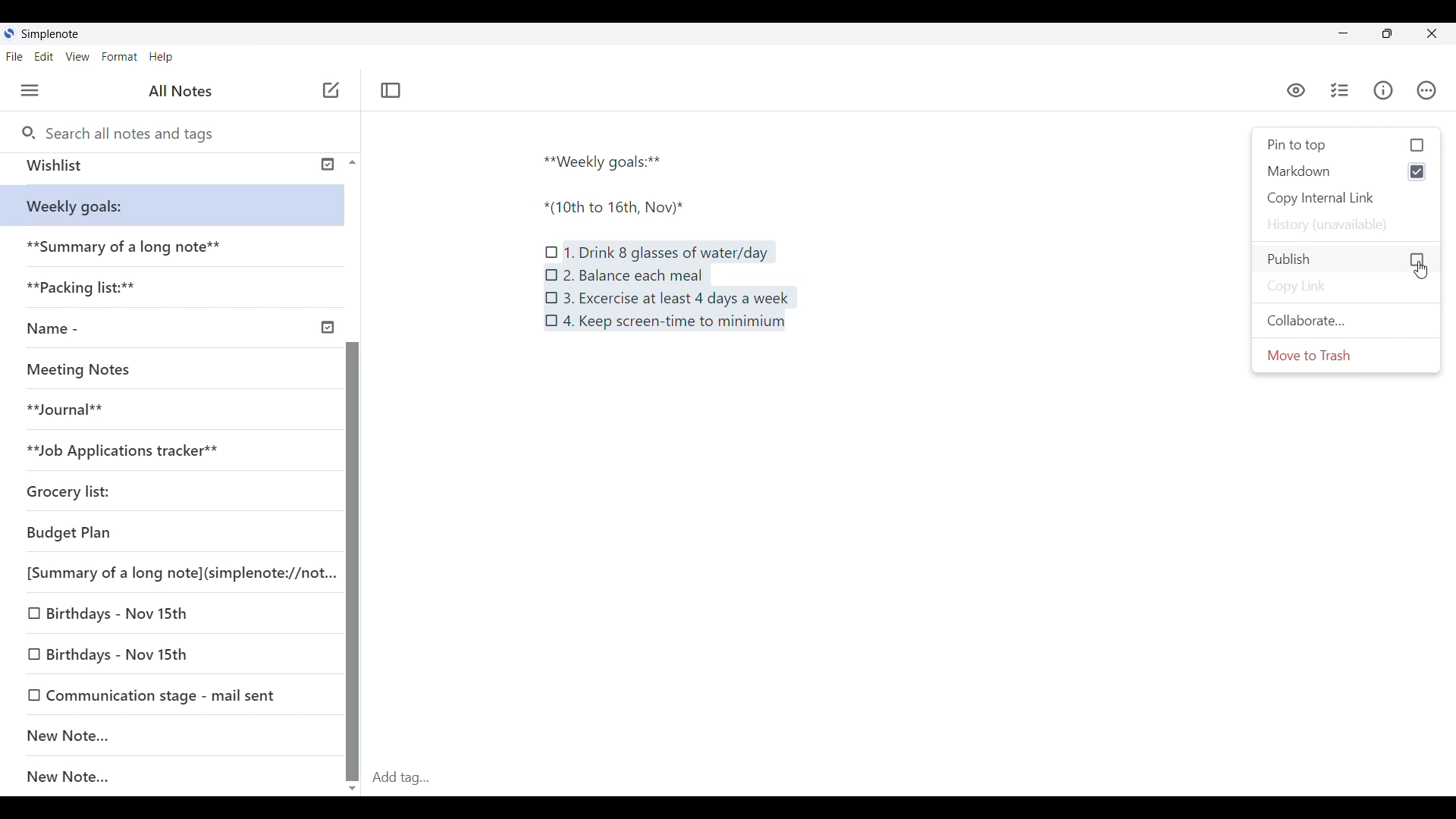 Image resolution: width=1456 pixels, height=819 pixels. I want to click on Checklist icon, so click(552, 321).